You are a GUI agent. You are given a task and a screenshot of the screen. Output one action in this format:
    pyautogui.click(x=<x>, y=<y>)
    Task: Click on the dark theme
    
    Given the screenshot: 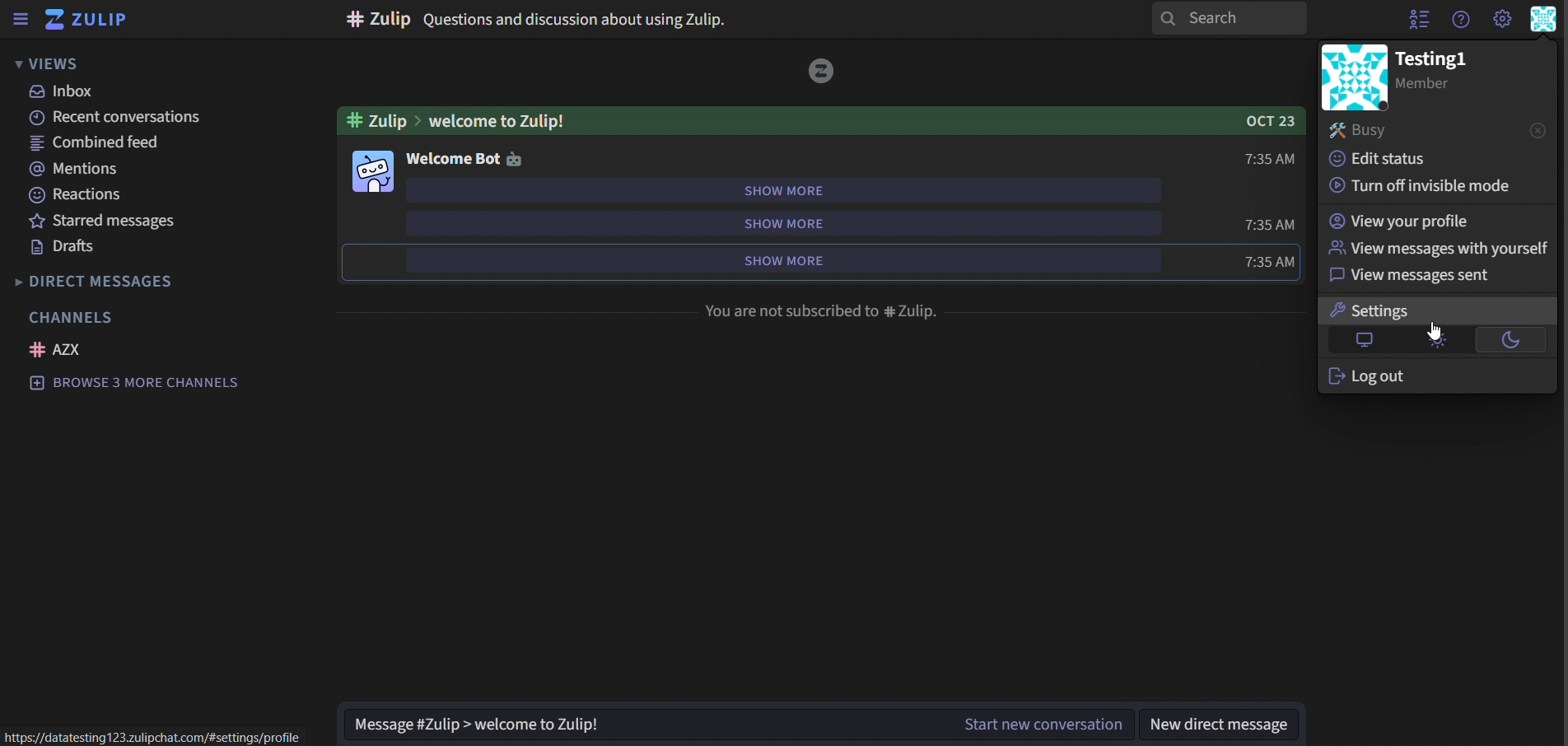 What is the action you would take?
    pyautogui.click(x=1515, y=338)
    